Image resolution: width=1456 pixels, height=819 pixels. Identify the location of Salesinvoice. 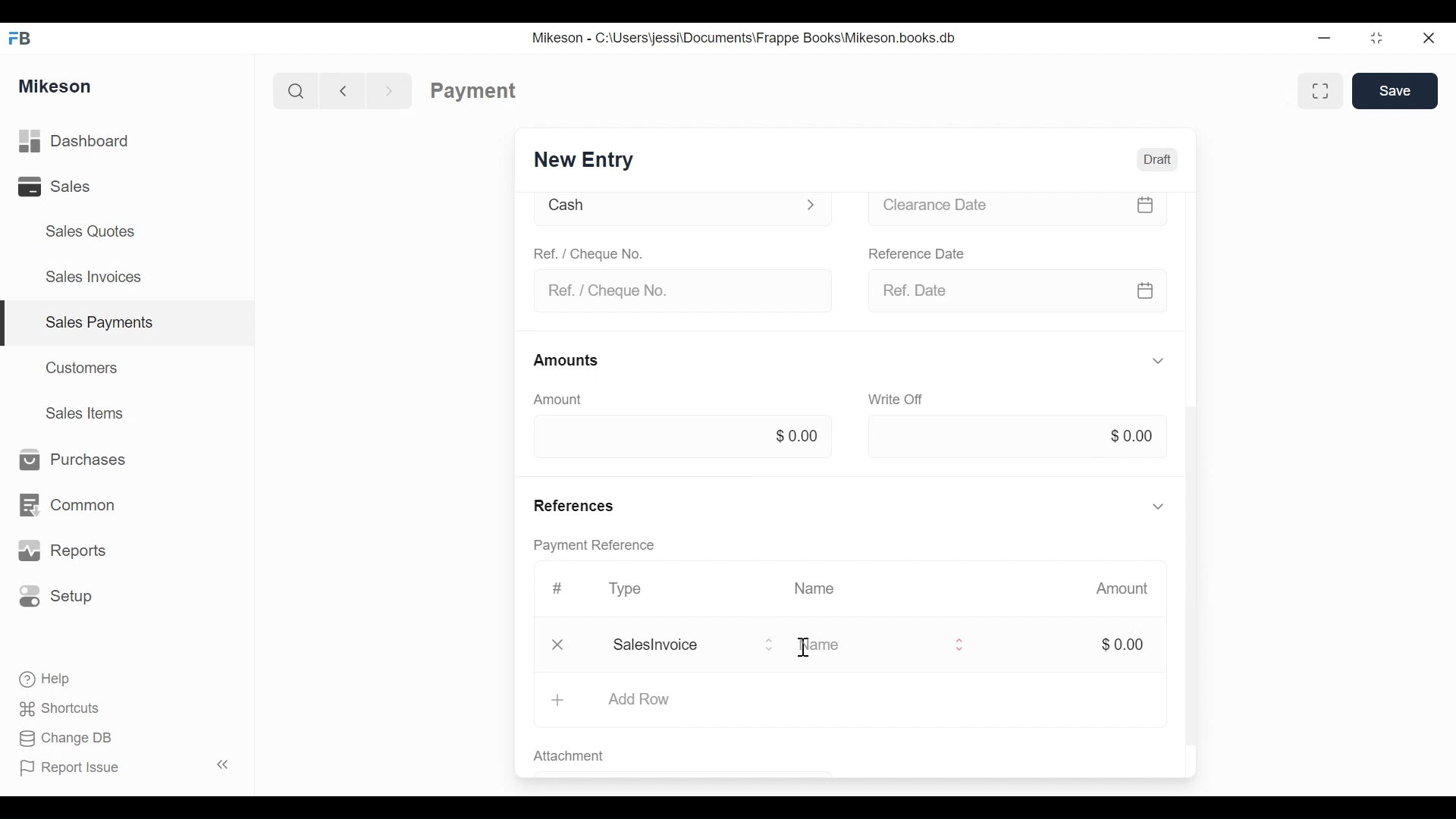
(691, 645).